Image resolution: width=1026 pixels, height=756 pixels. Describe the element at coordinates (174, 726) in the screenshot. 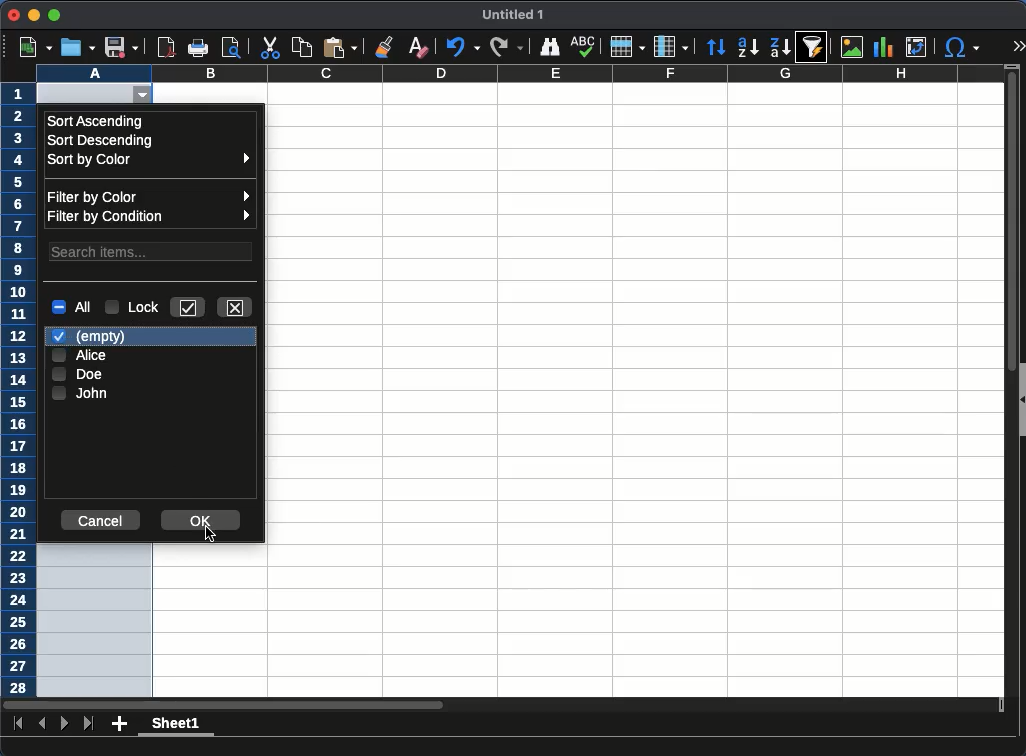

I see `sheet1` at that location.